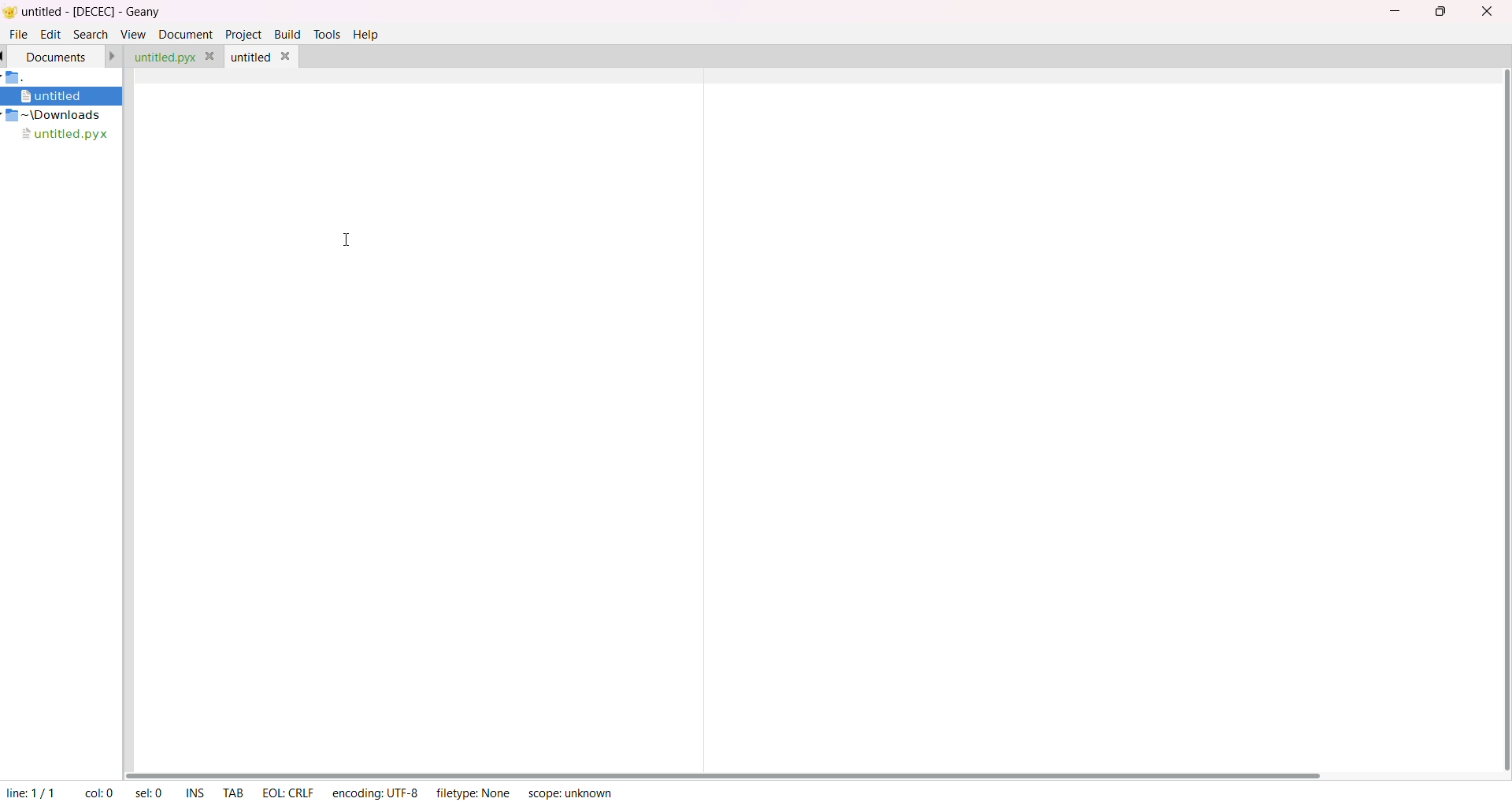 This screenshot has height=802, width=1512. I want to click on close tab, so click(211, 56).